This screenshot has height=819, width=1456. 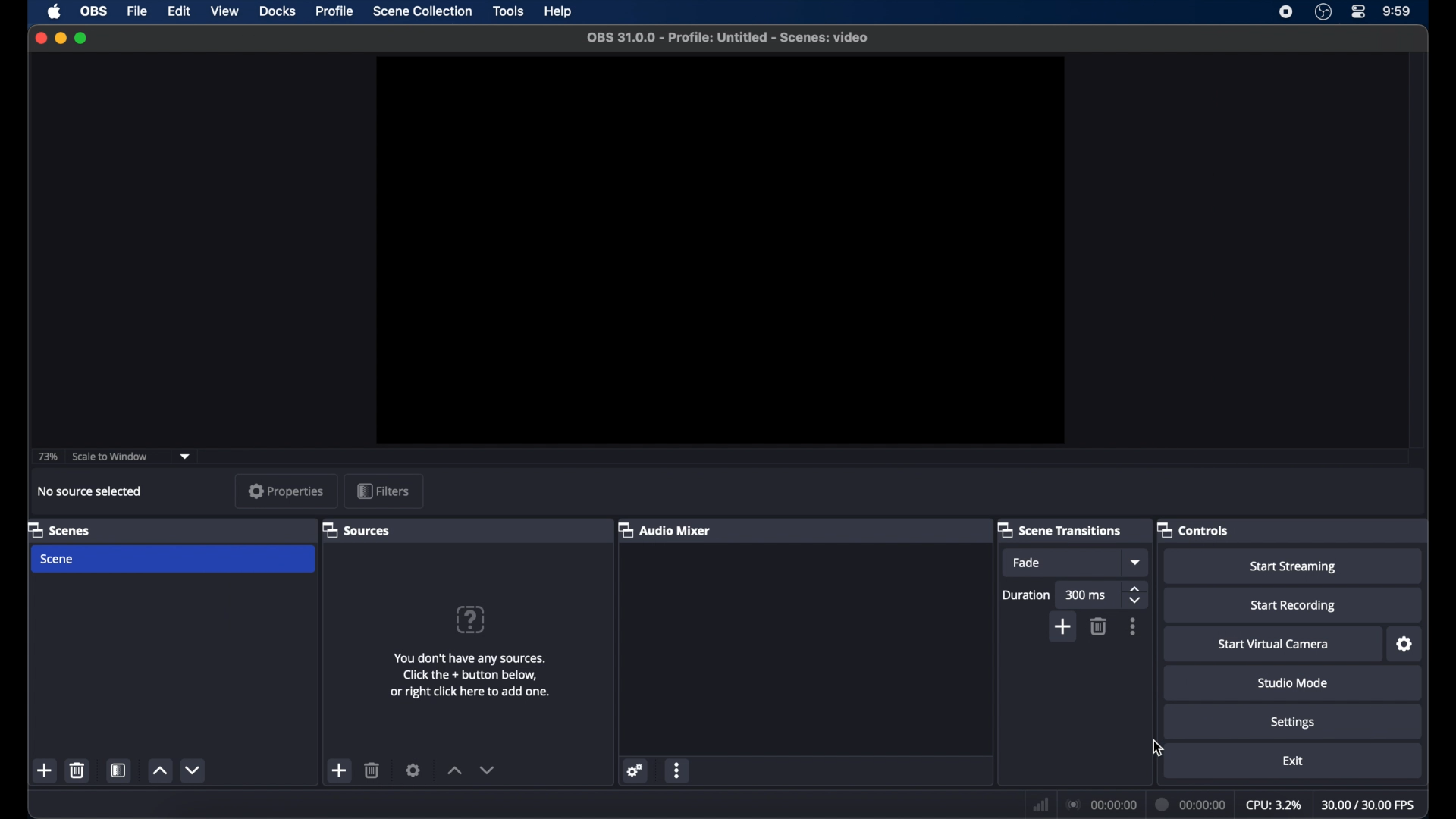 I want to click on profile, so click(x=336, y=11).